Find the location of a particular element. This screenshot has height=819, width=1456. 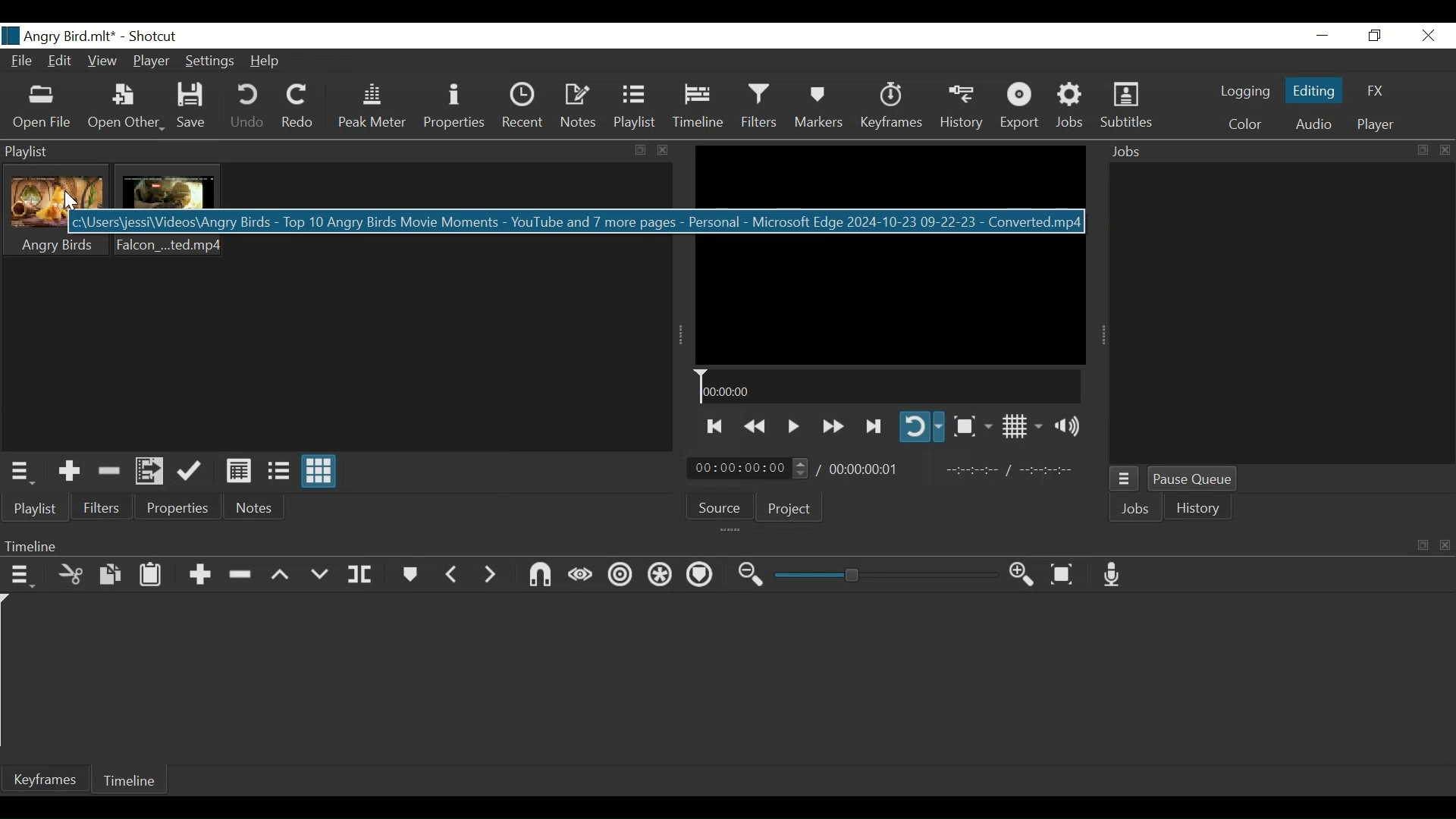

Properties is located at coordinates (456, 109).